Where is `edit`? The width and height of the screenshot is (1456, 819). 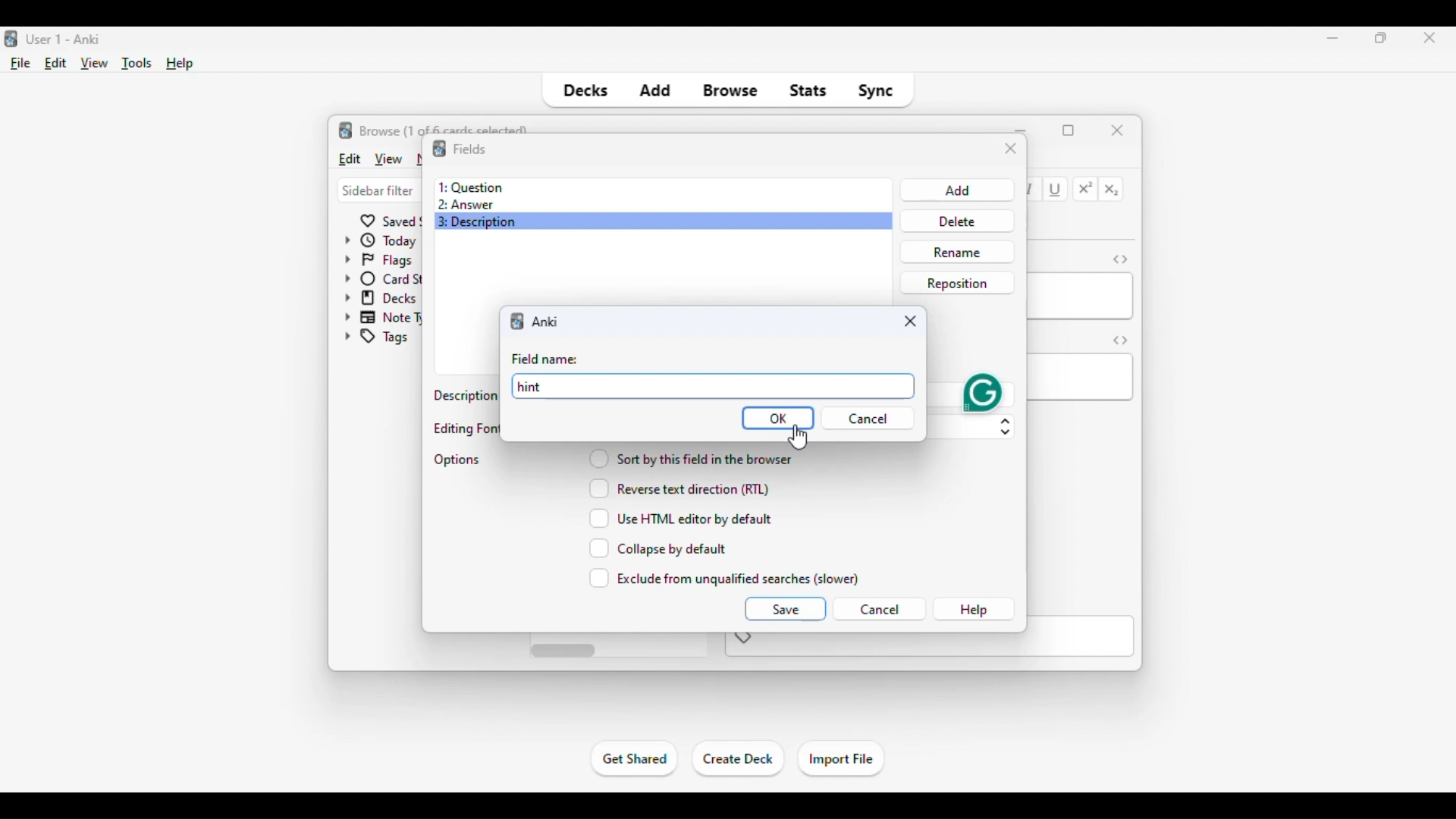 edit is located at coordinates (56, 63).